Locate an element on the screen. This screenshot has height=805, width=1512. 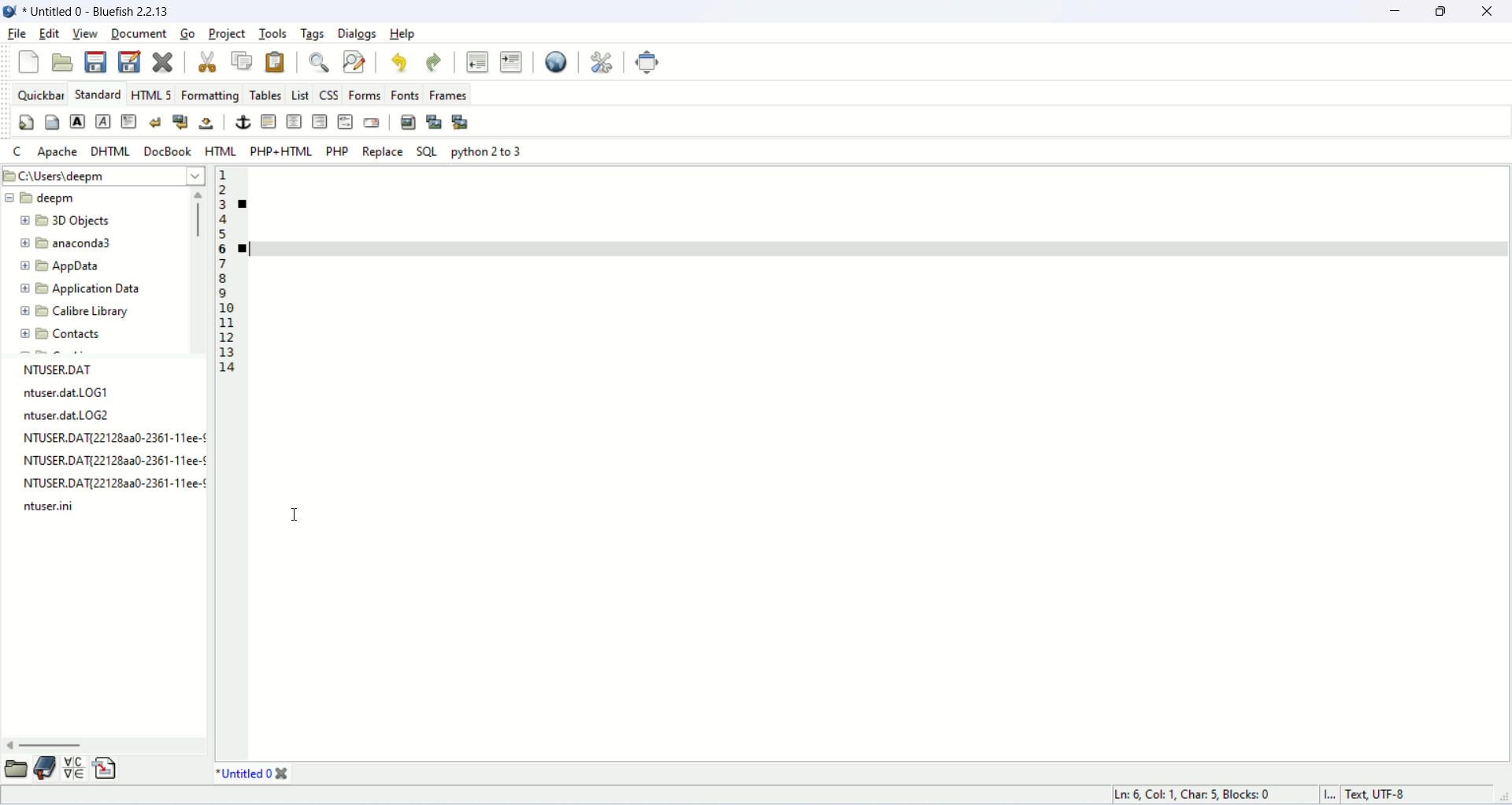
new file is located at coordinates (28, 62).